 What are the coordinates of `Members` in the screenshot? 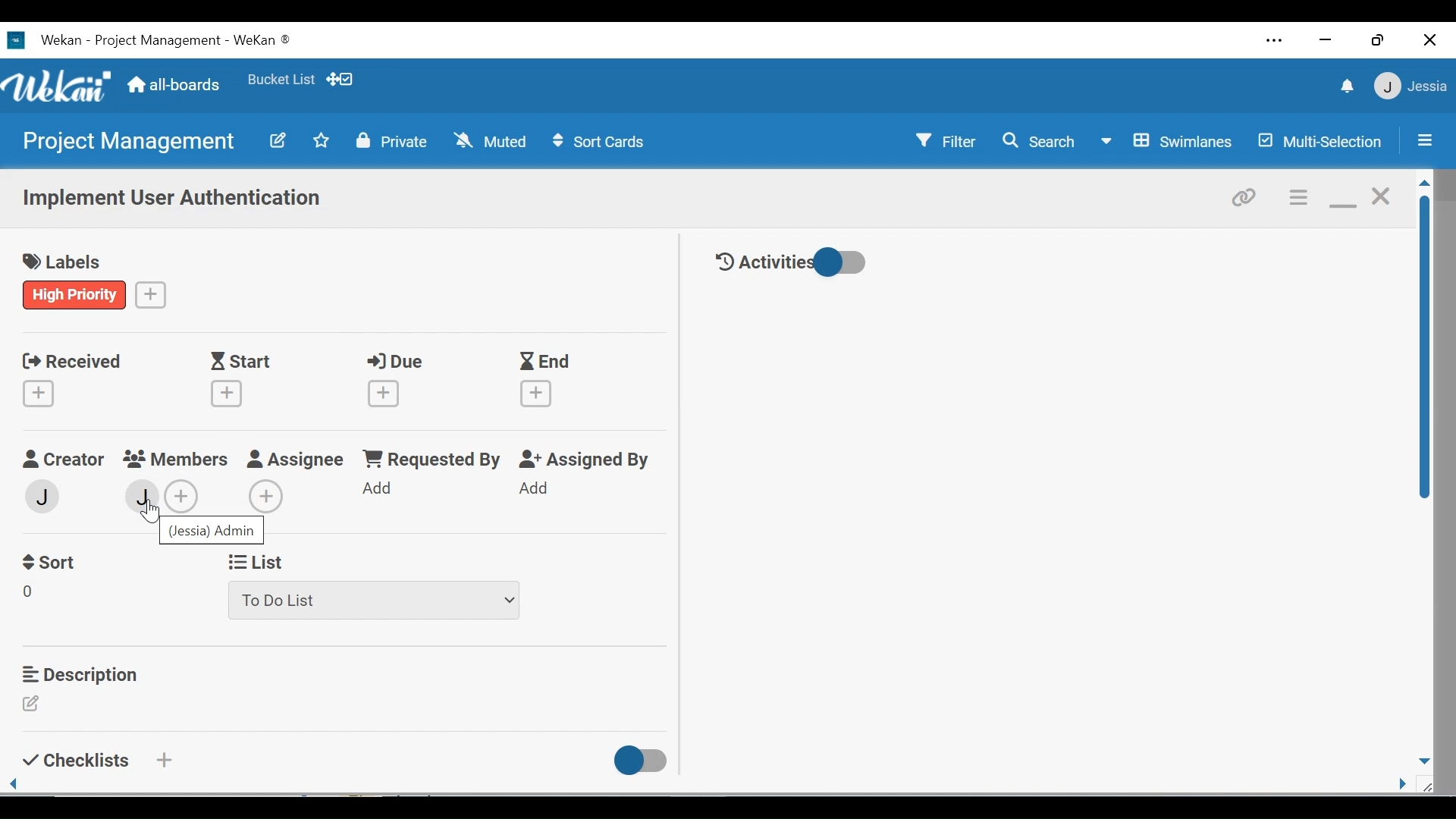 It's located at (176, 458).